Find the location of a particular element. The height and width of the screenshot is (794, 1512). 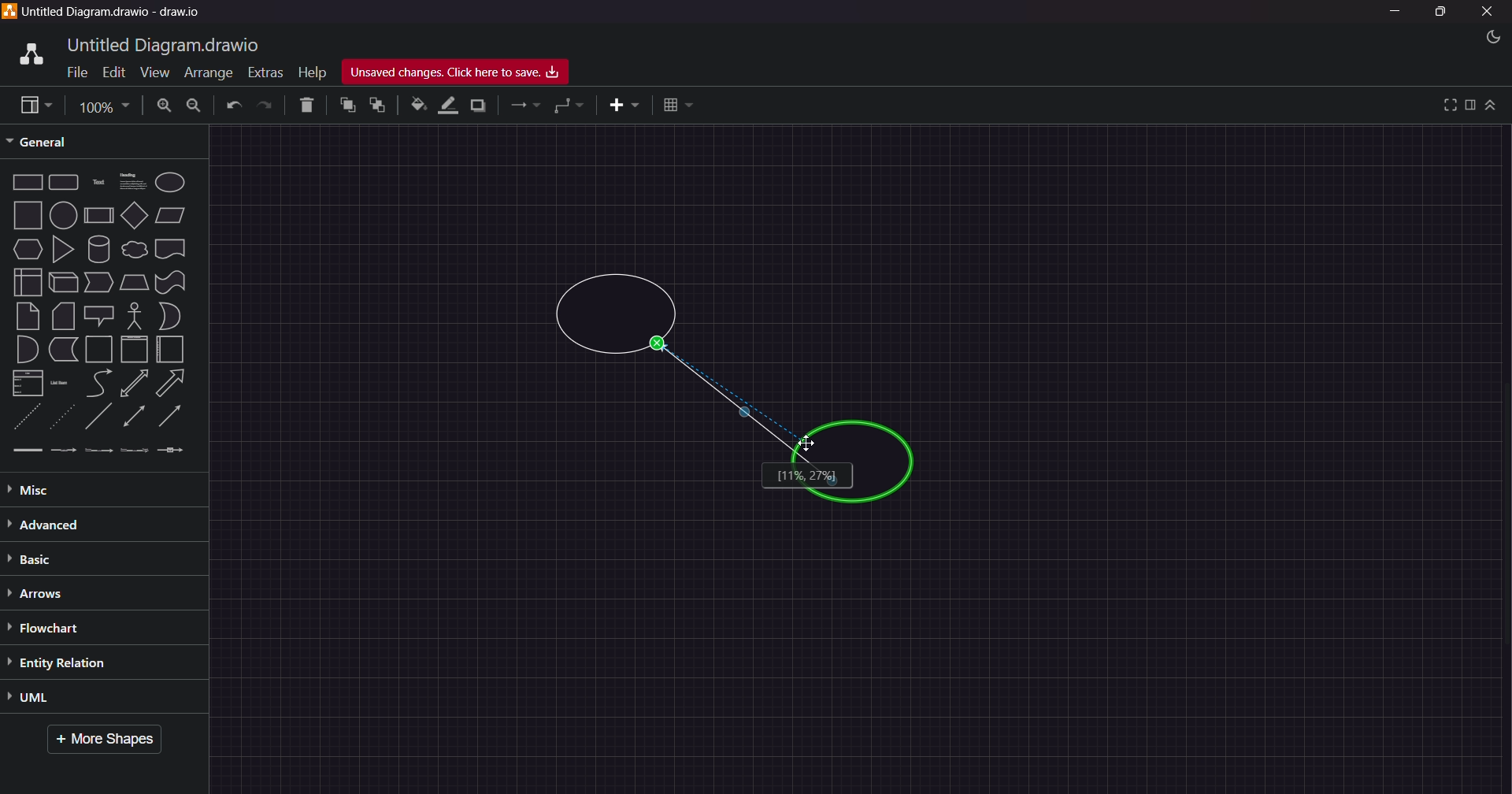

logo is located at coordinates (28, 52).